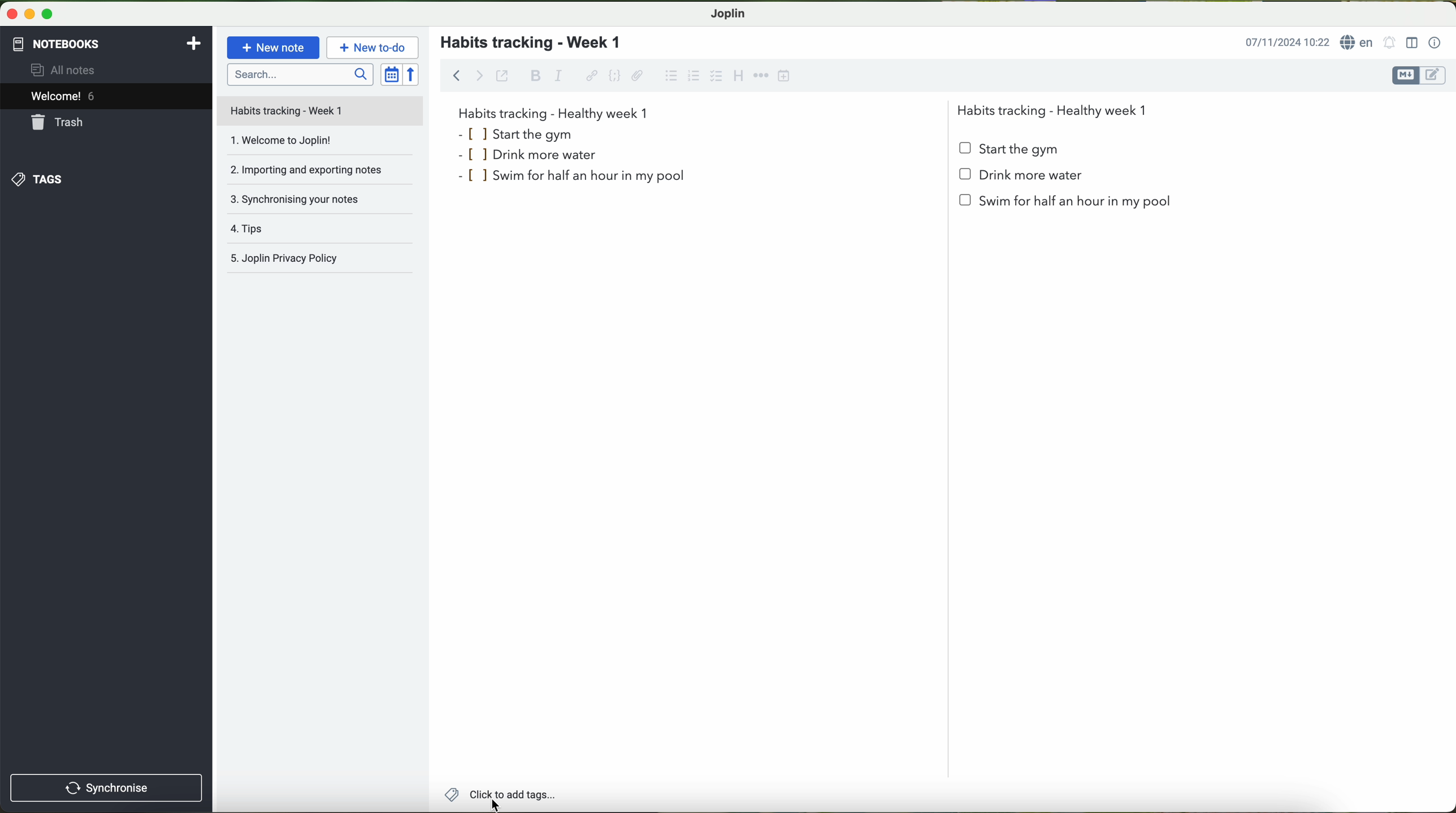 The image size is (1456, 813). What do you see at coordinates (497, 803) in the screenshot?
I see `Cursor` at bounding box center [497, 803].